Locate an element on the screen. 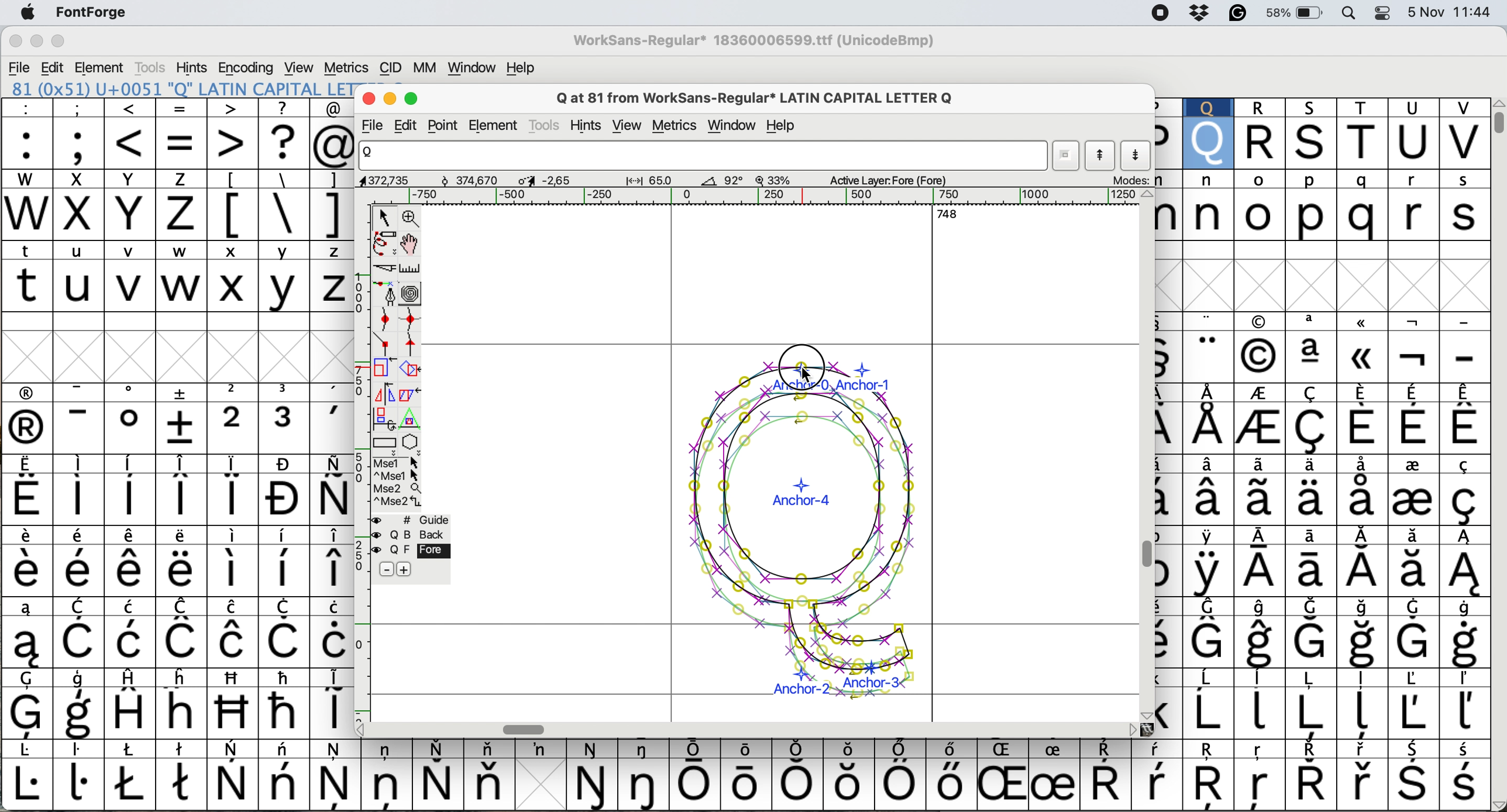  window is located at coordinates (473, 67).